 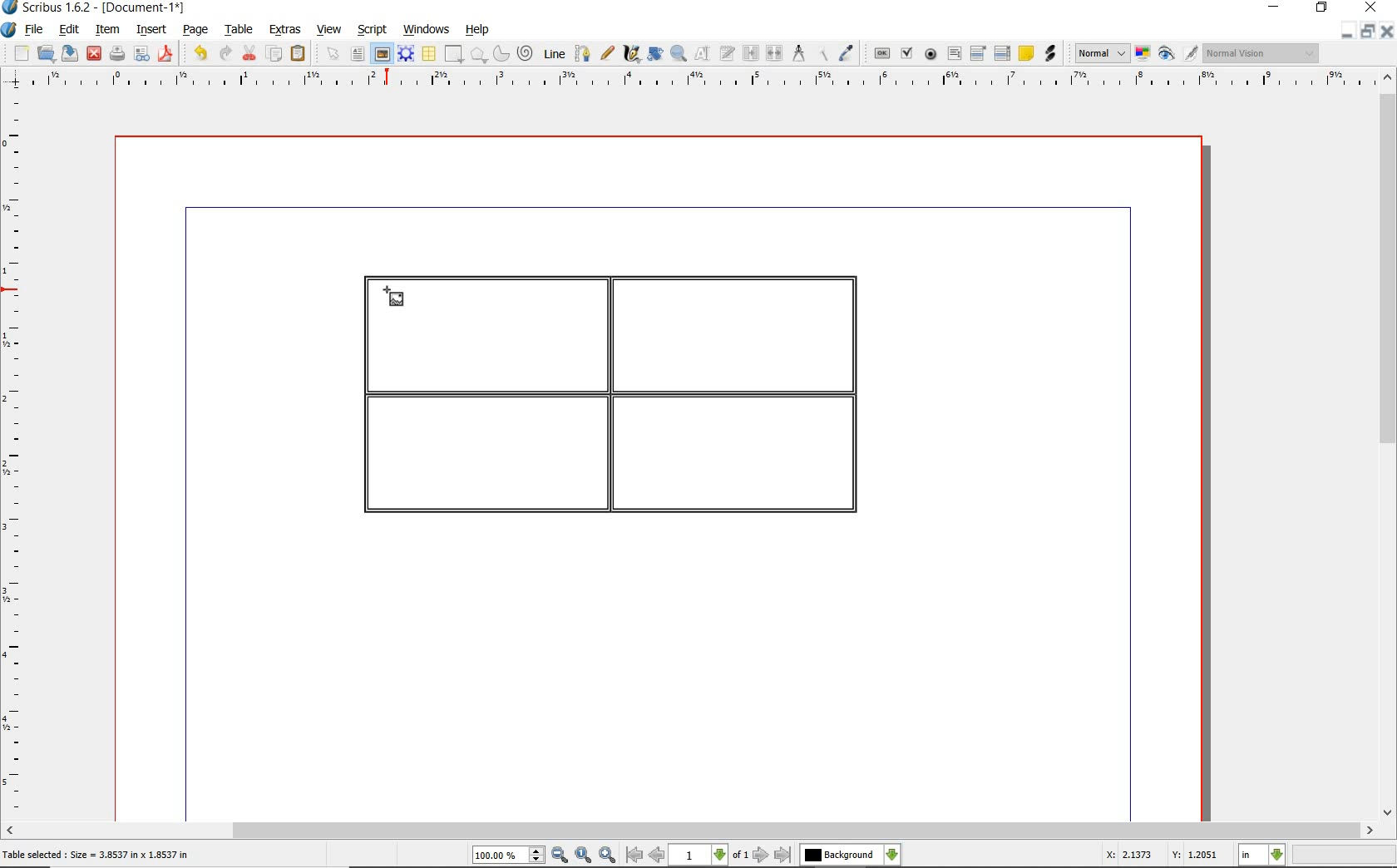 What do you see at coordinates (822, 54) in the screenshot?
I see `copy item properties` at bounding box center [822, 54].